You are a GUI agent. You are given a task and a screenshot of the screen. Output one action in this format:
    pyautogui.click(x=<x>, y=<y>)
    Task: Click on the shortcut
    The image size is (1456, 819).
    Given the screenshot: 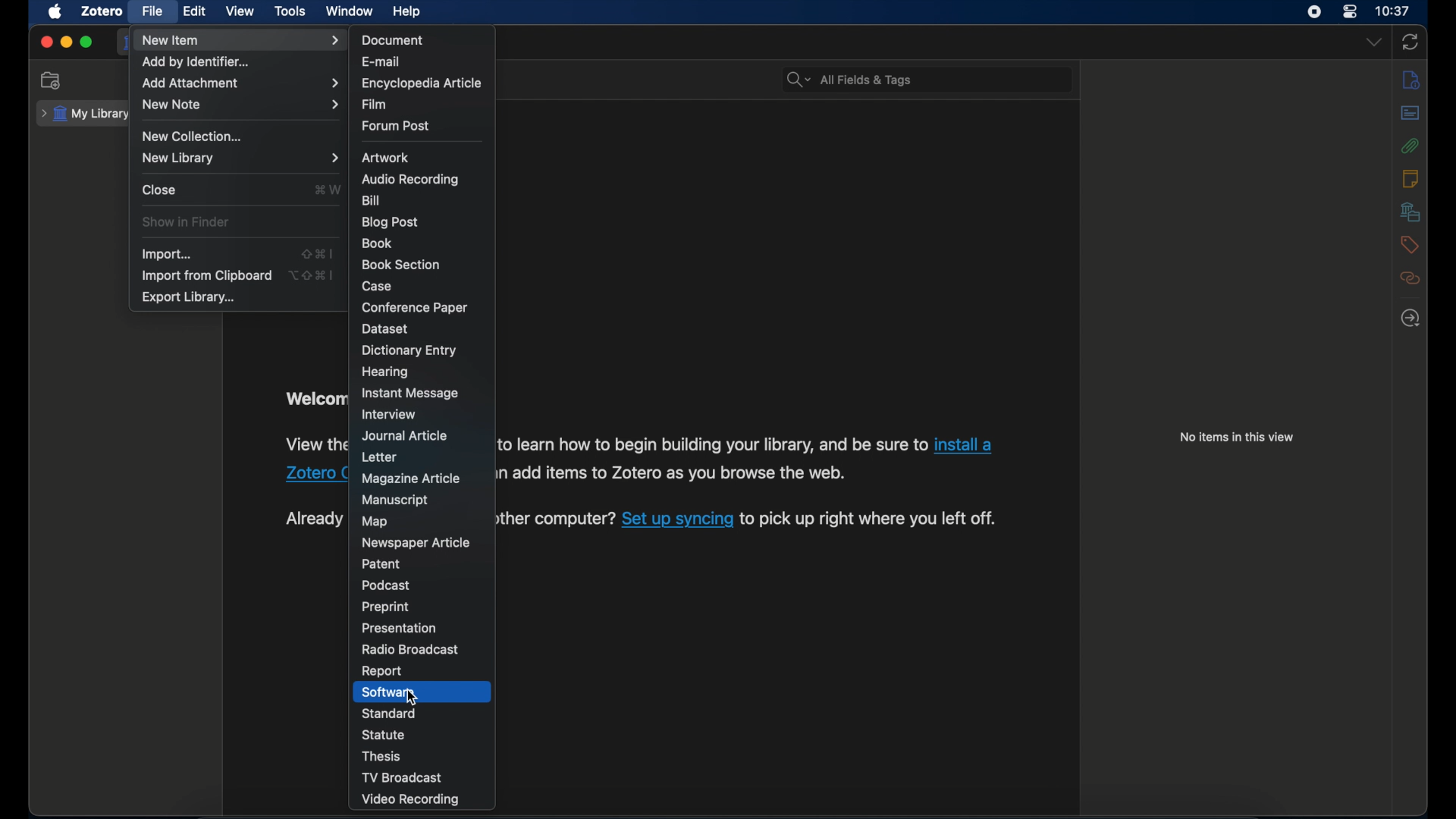 What is the action you would take?
    pyautogui.click(x=326, y=191)
    